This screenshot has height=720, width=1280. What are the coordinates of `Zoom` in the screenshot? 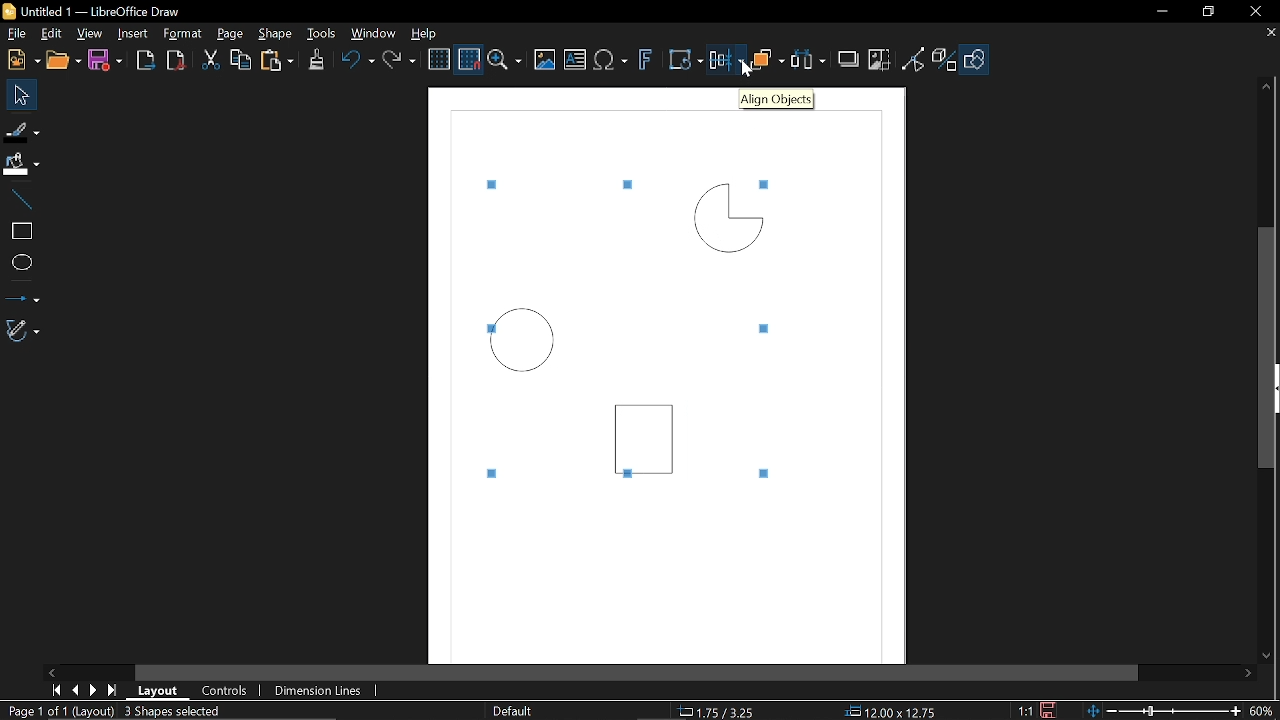 It's located at (506, 60).